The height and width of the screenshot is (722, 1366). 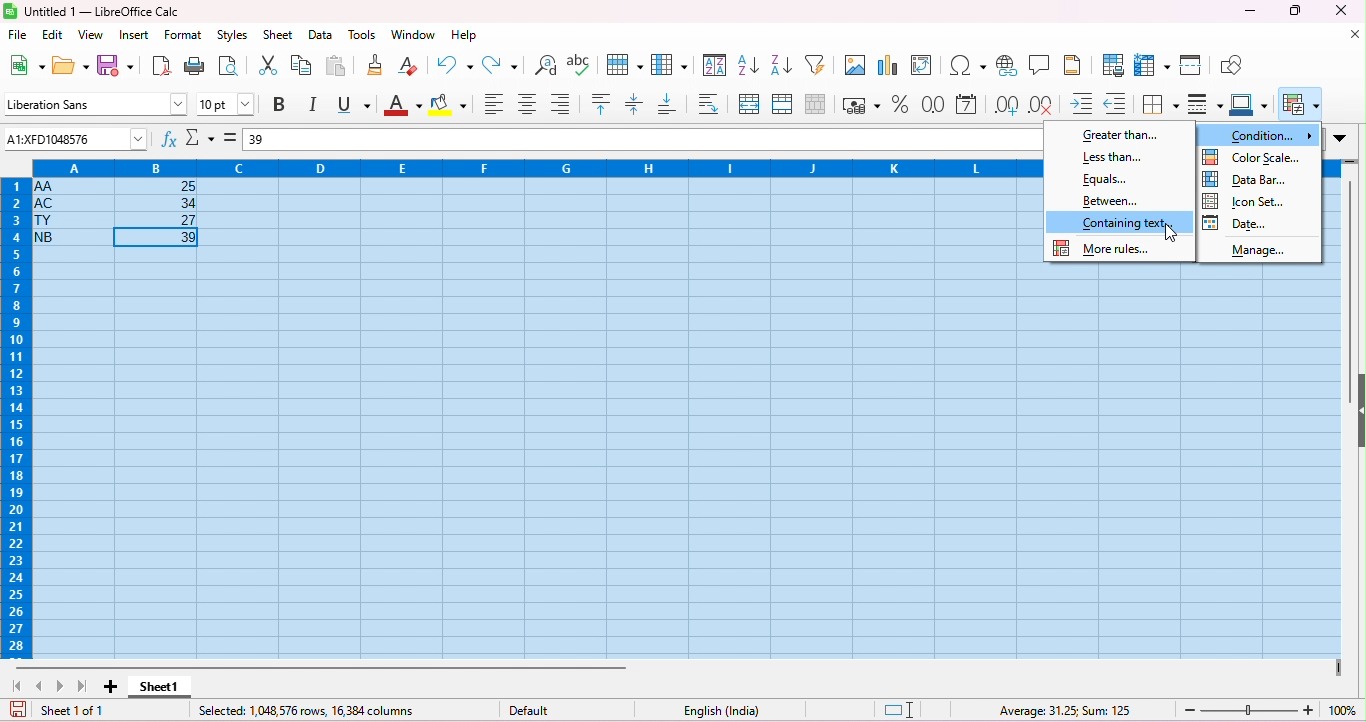 What do you see at coordinates (231, 138) in the screenshot?
I see `=` at bounding box center [231, 138].